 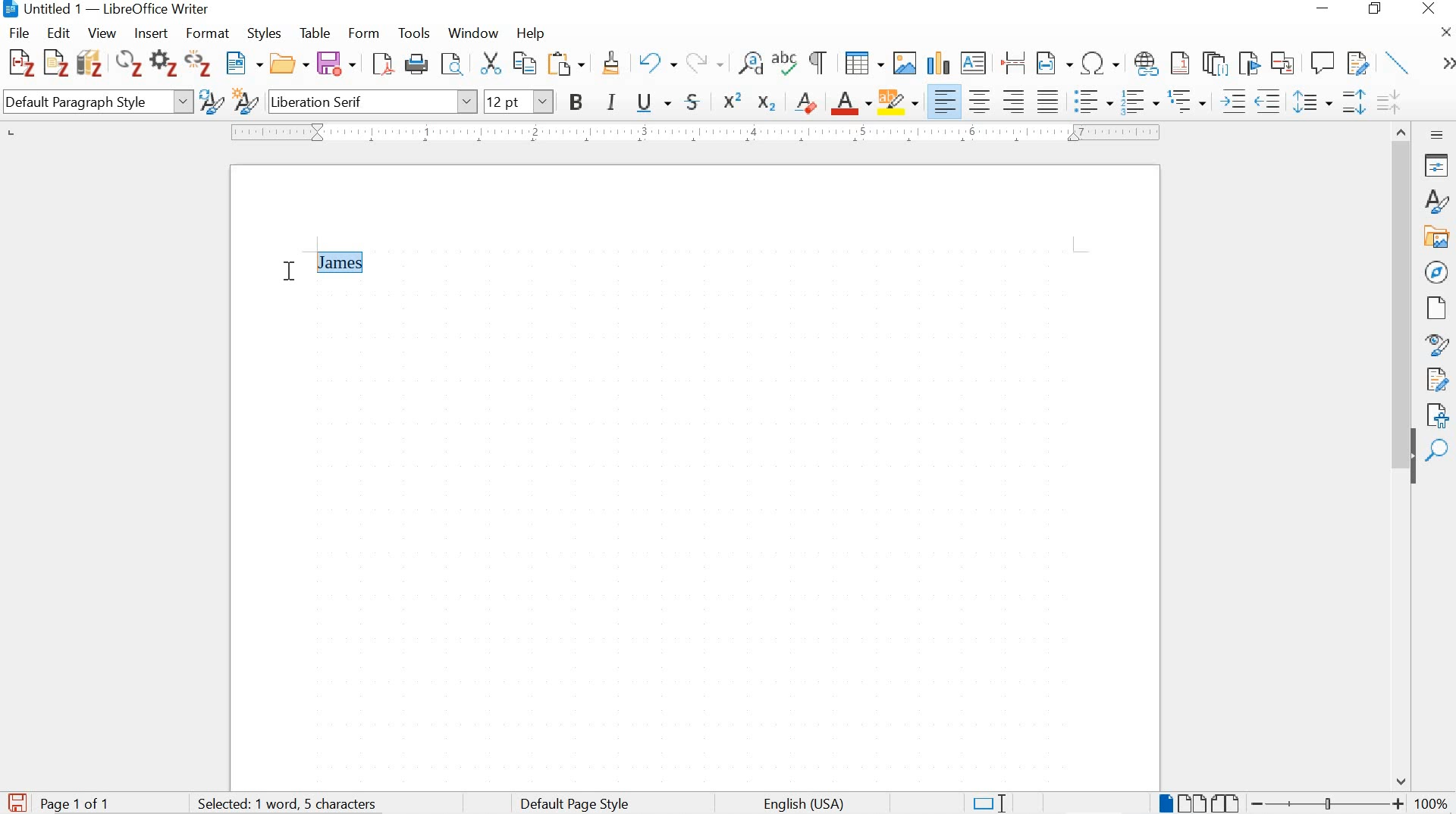 What do you see at coordinates (472, 35) in the screenshot?
I see `window` at bounding box center [472, 35].